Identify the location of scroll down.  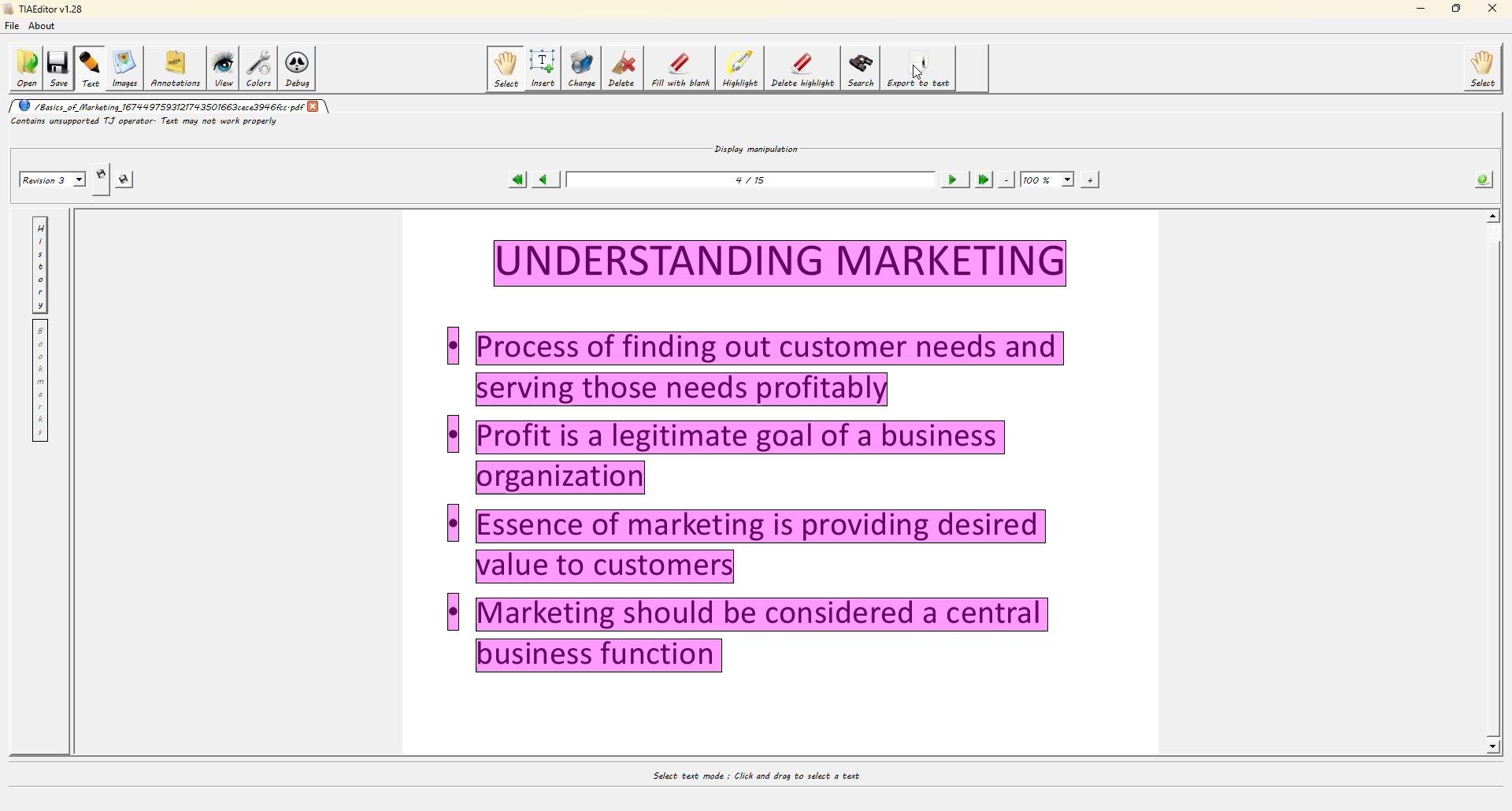
(1493, 742).